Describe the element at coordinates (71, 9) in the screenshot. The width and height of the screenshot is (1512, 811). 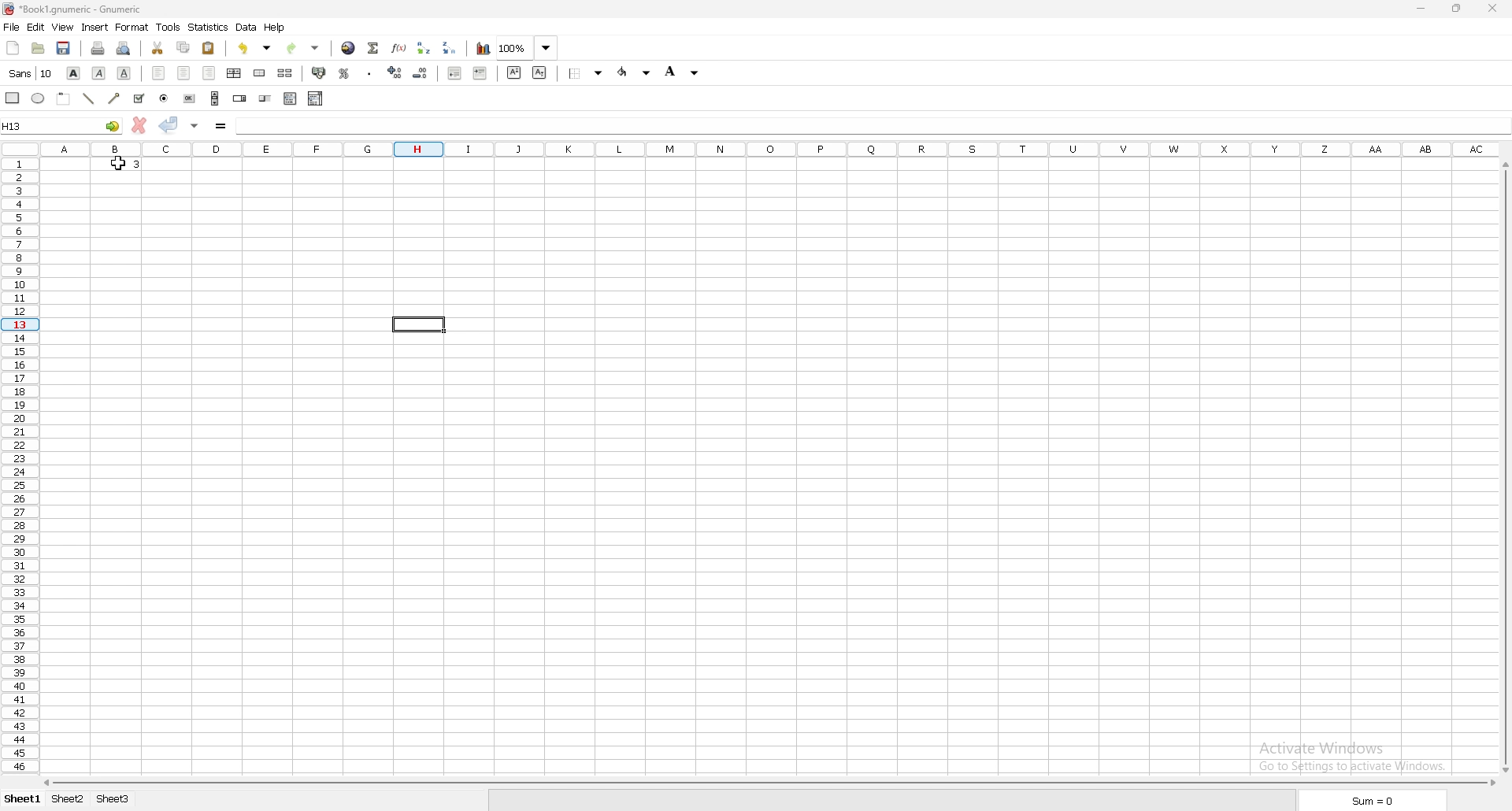
I see `file name` at that location.